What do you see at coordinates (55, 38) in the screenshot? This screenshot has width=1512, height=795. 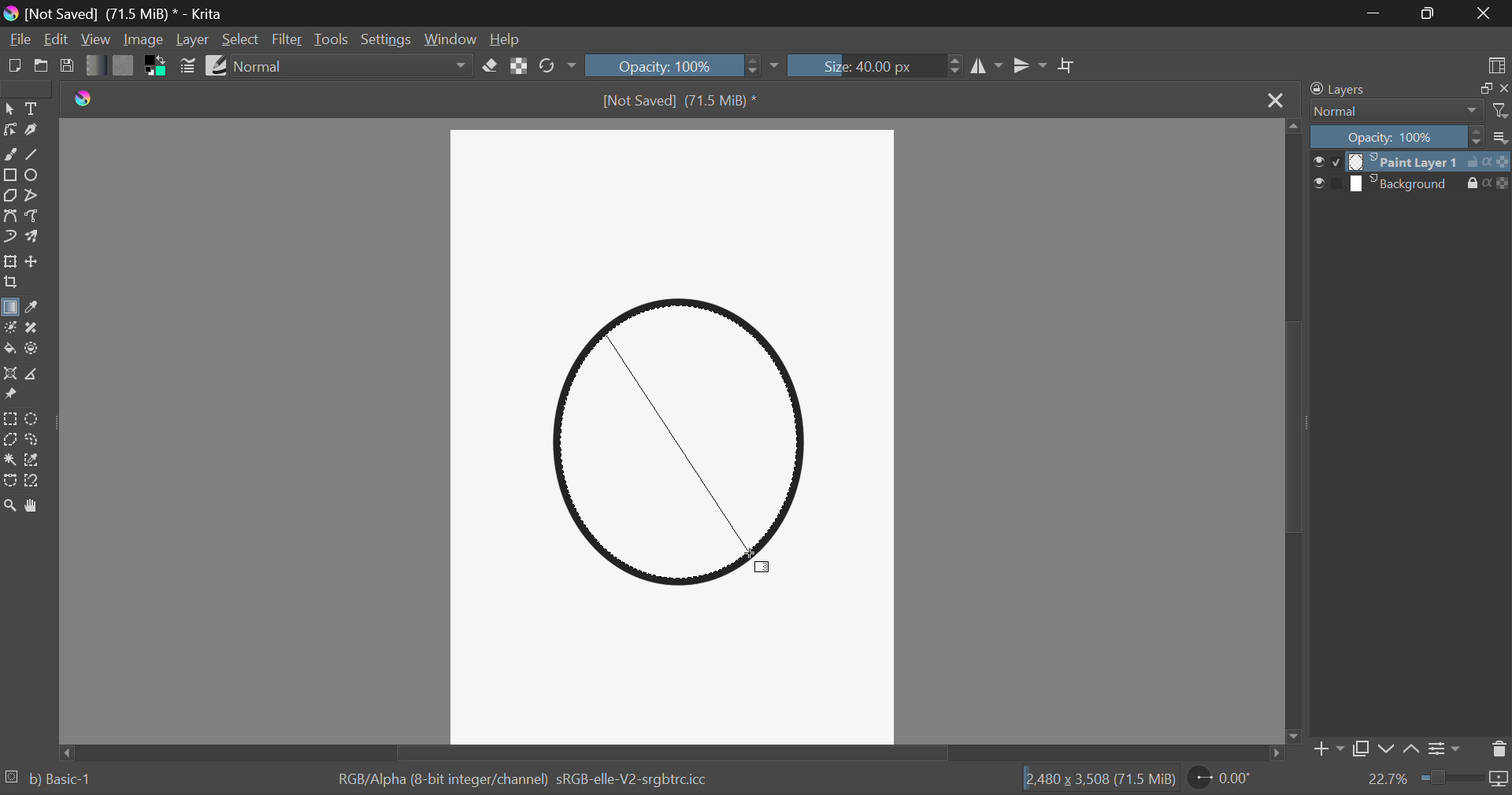 I see `Edit` at bounding box center [55, 38].